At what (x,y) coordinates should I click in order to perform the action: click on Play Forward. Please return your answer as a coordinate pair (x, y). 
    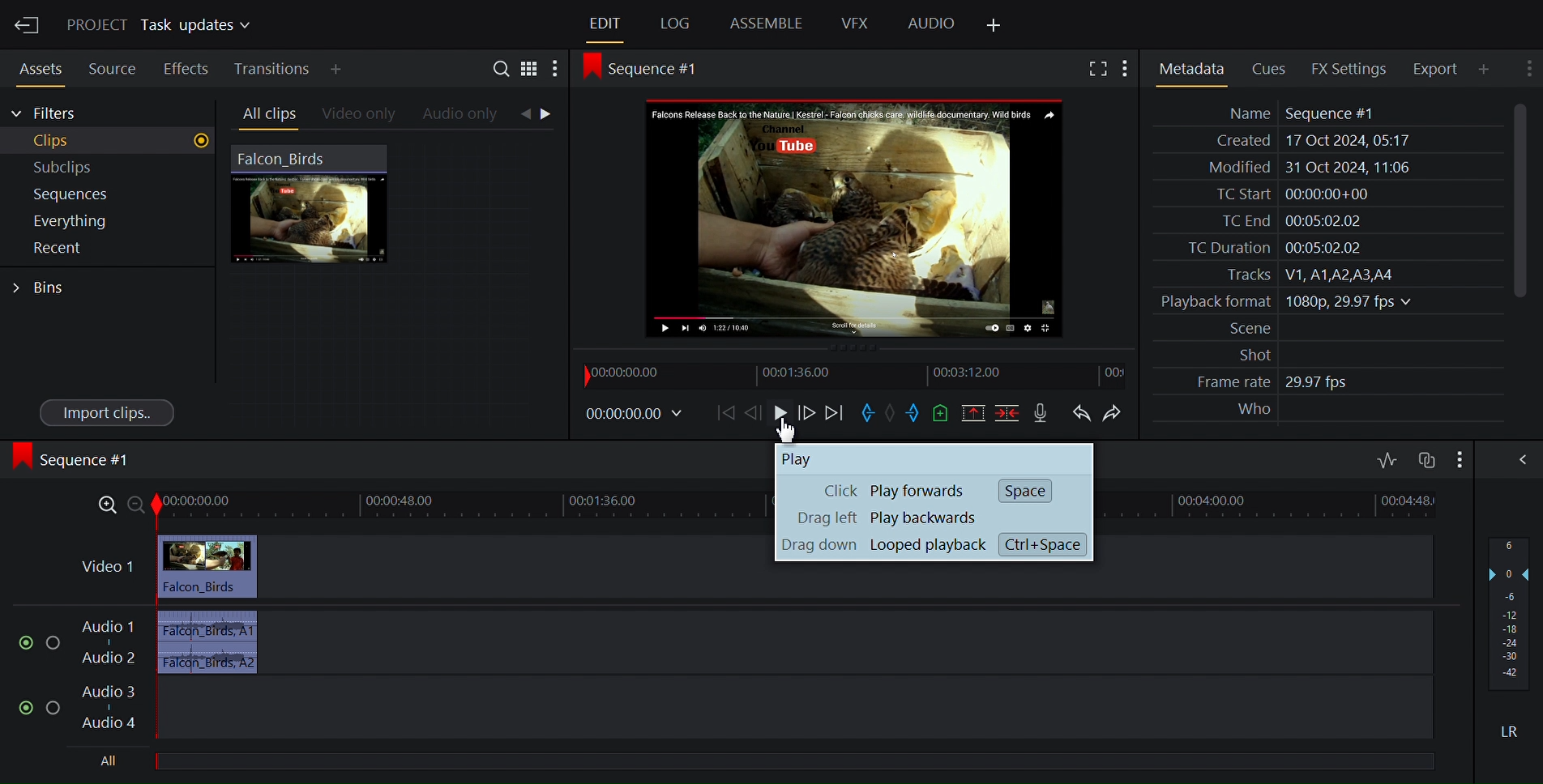
    Looking at the image, I should click on (920, 491).